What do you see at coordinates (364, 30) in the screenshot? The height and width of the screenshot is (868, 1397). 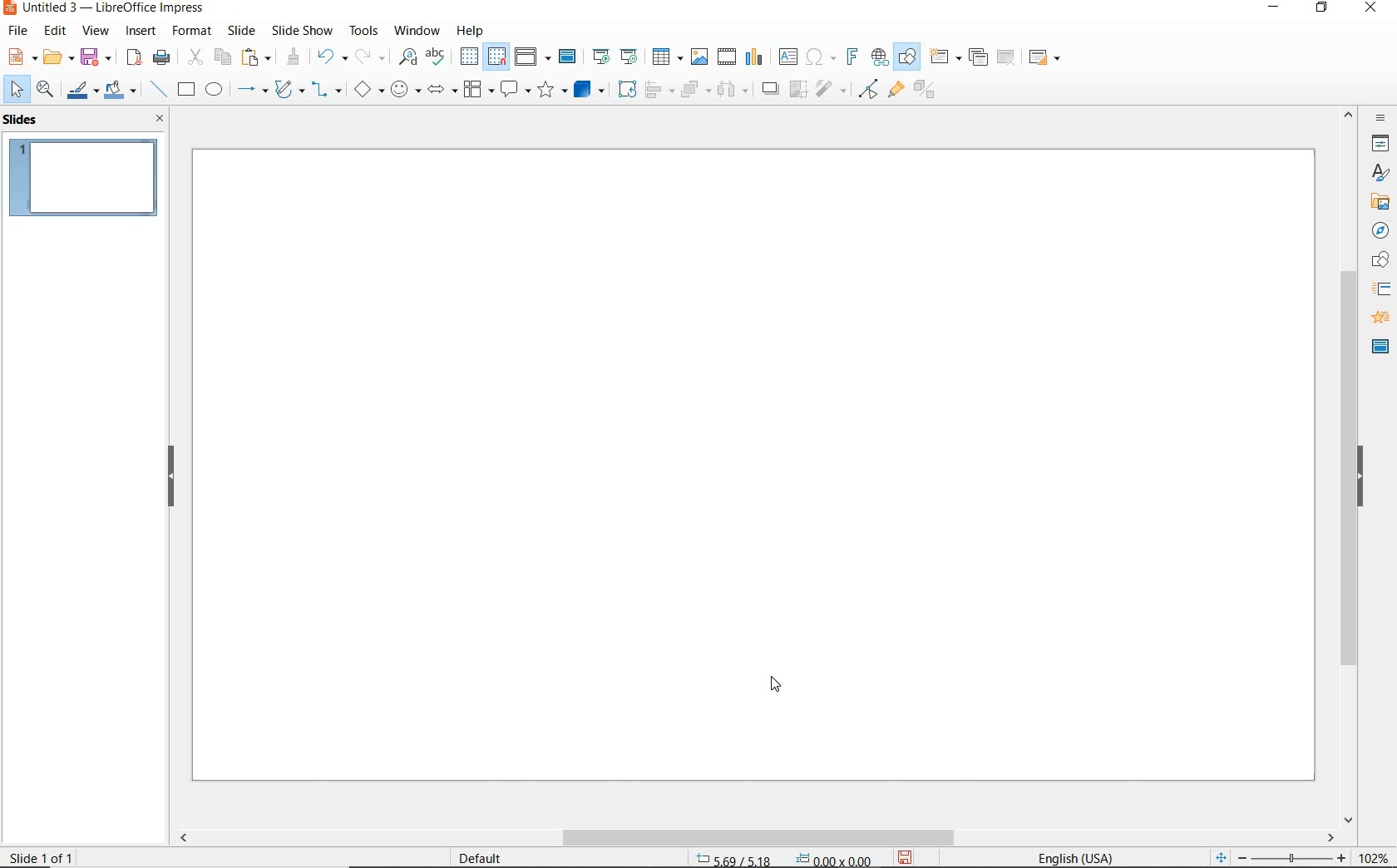 I see `TOOLS` at bounding box center [364, 30].